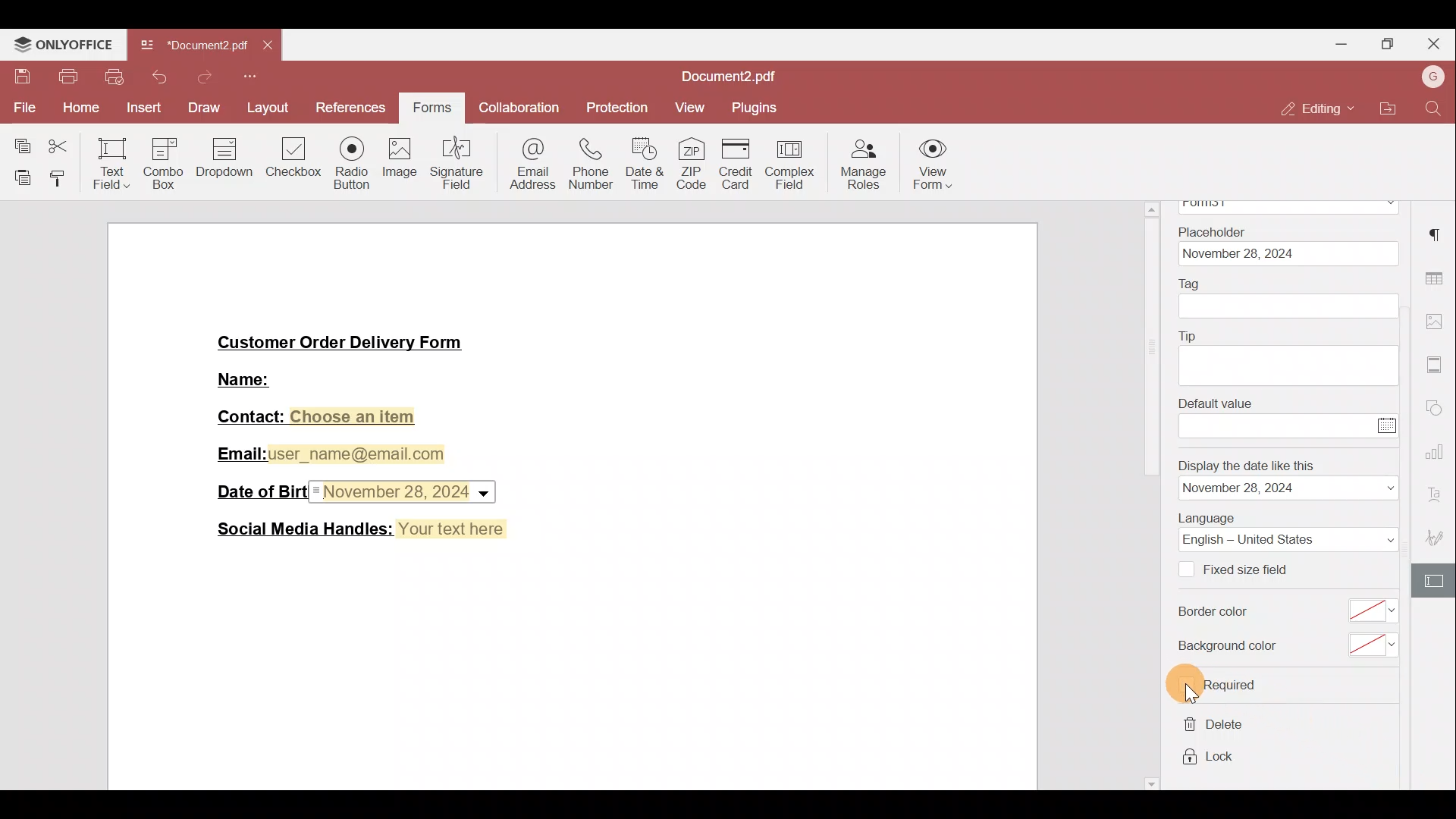 The height and width of the screenshot is (819, 1456). Describe the element at coordinates (1387, 425) in the screenshot. I see `Calendar ` at that location.